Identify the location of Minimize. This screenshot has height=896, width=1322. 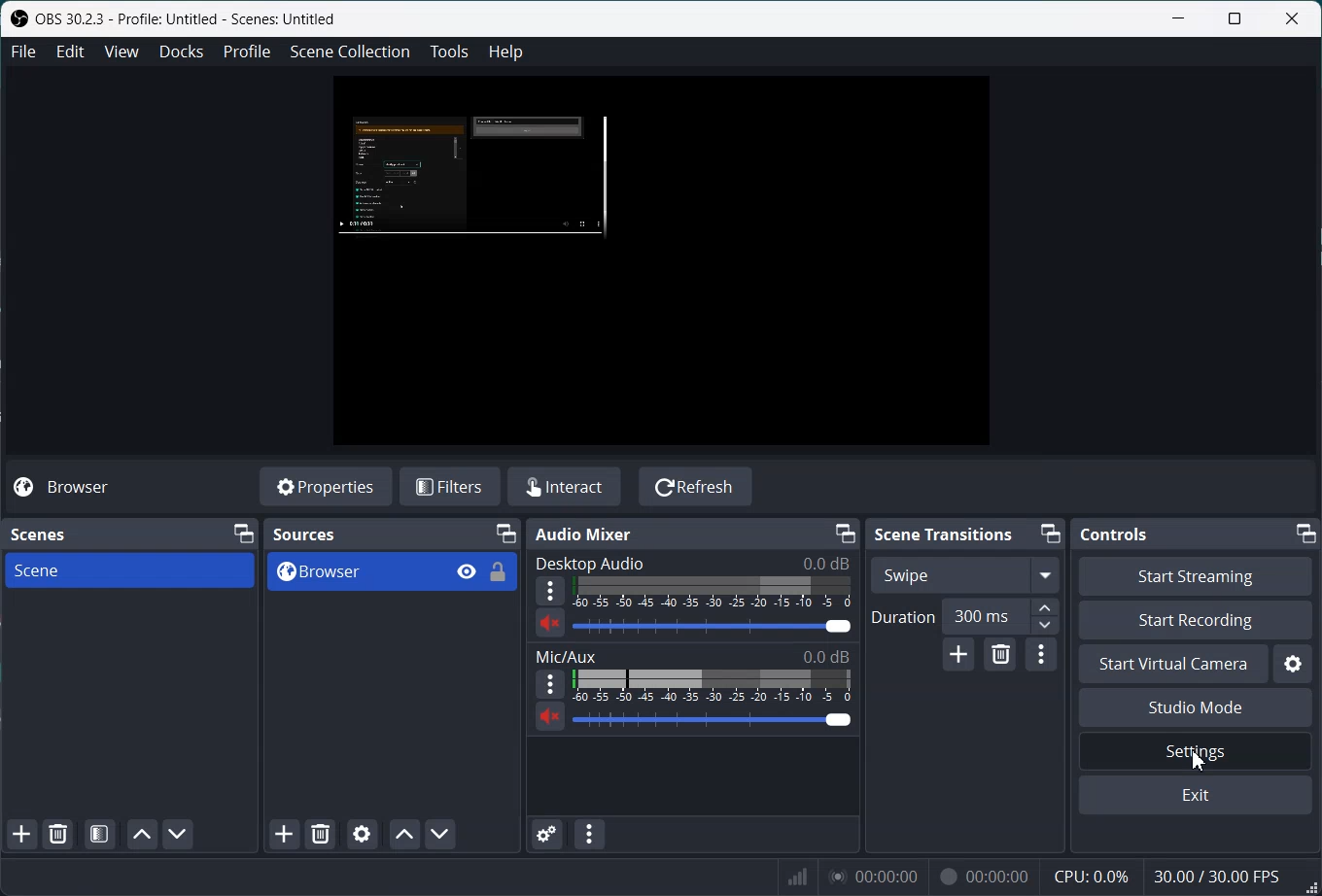
(1179, 17).